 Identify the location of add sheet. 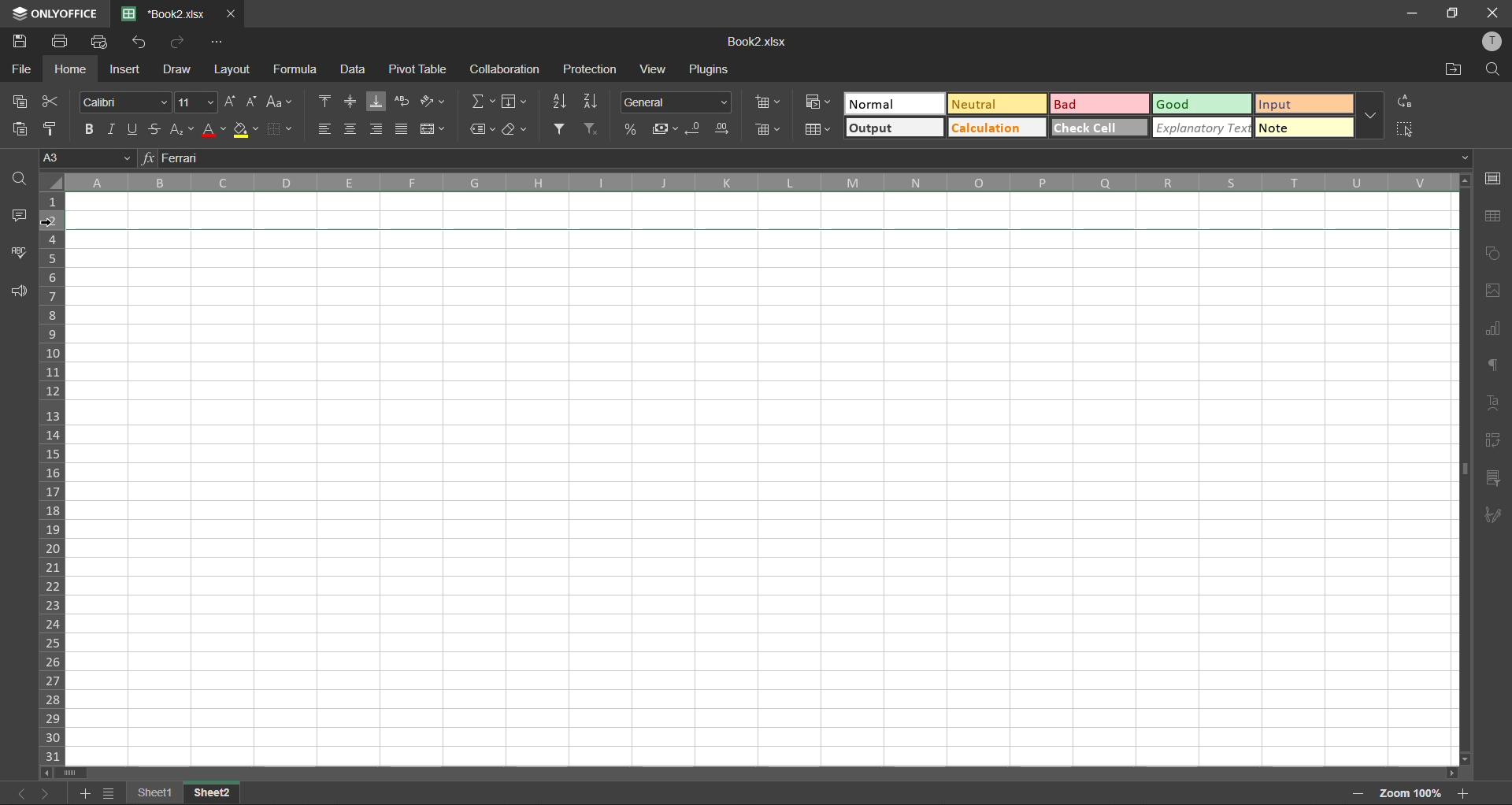
(84, 792).